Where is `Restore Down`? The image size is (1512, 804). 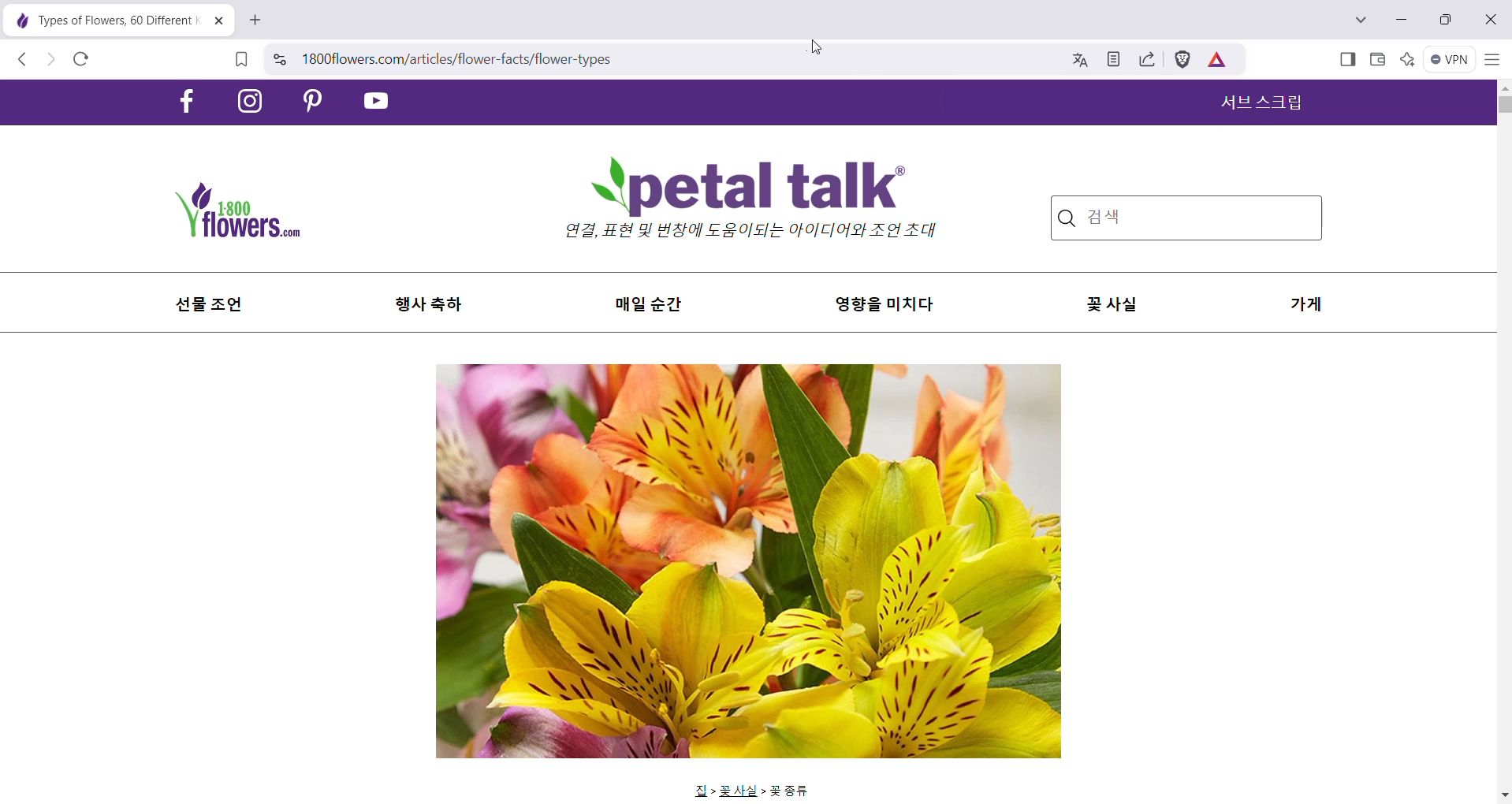 Restore Down is located at coordinates (1442, 20).